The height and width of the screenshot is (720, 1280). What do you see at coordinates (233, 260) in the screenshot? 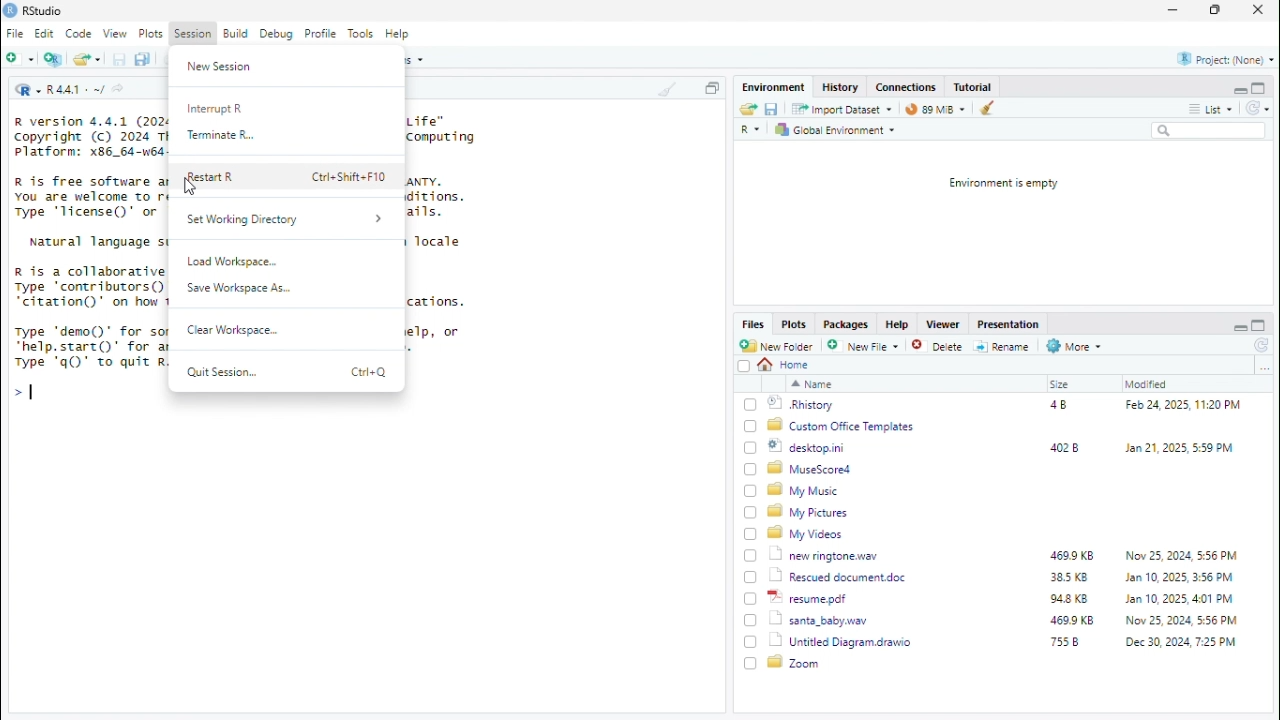
I see `Load Workspace...` at bounding box center [233, 260].